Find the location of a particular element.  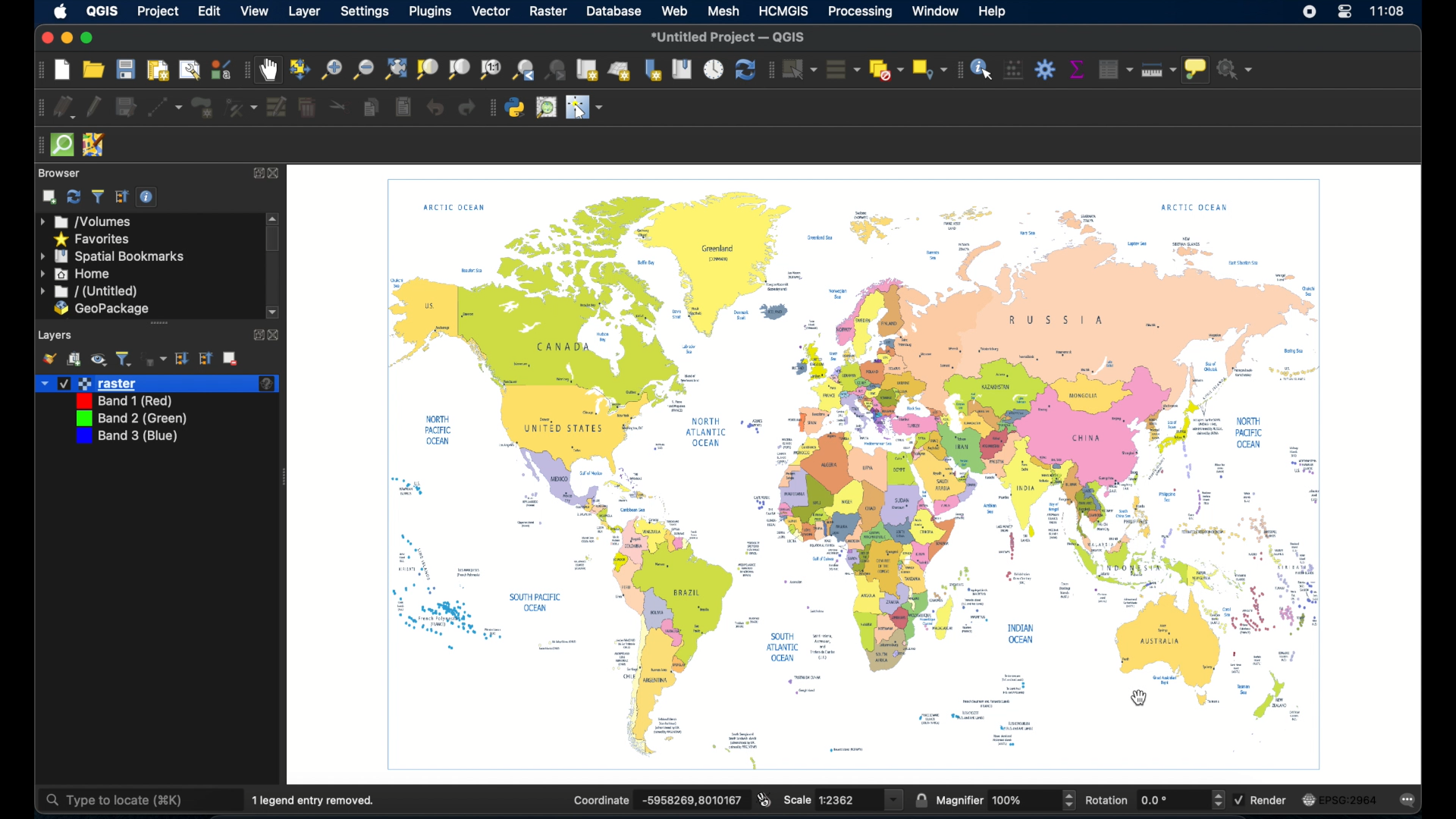

show layout manager is located at coordinates (187, 71).